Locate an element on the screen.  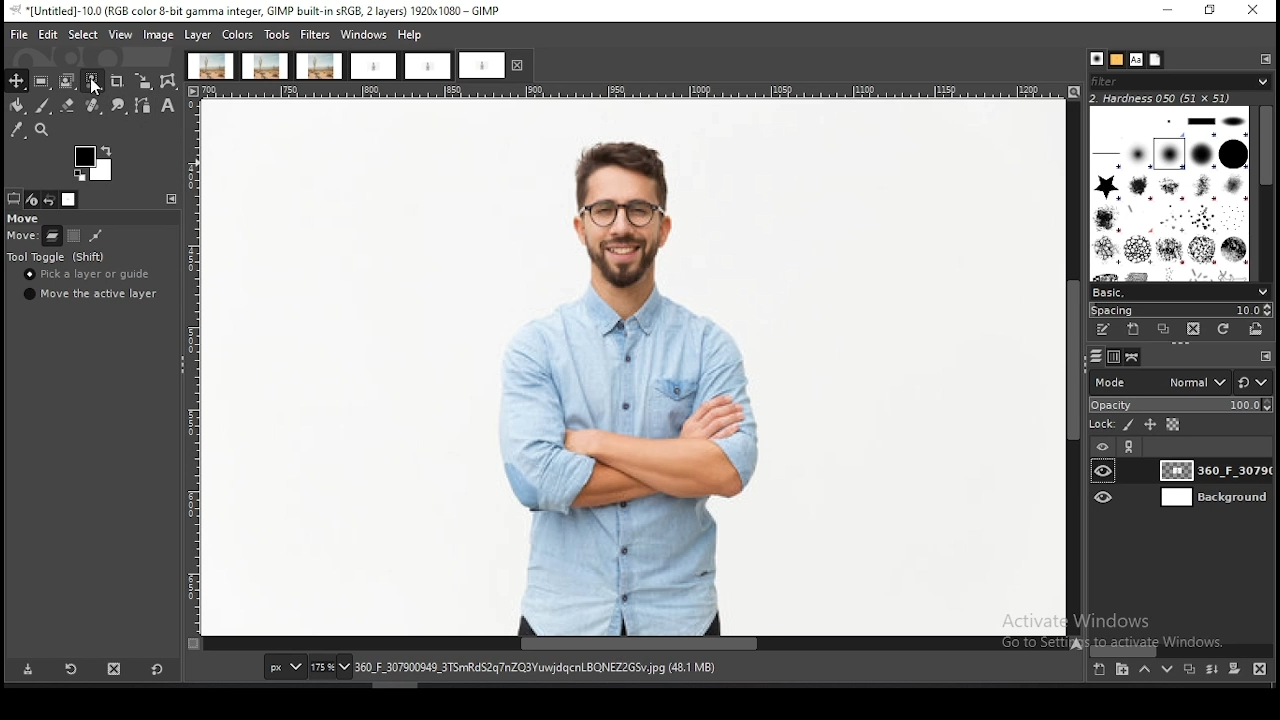
project tab is located at coordinates (495, 65).